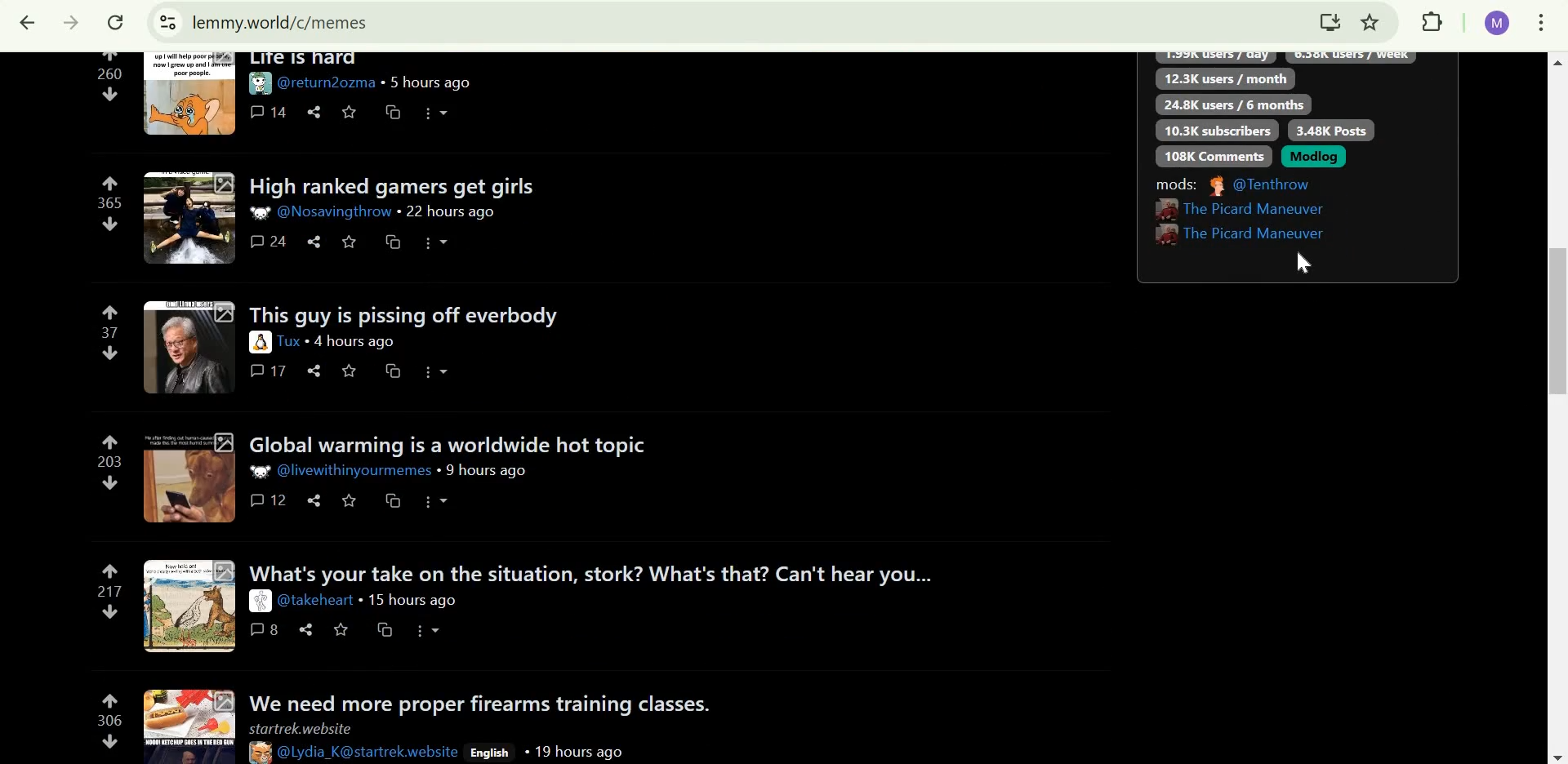  I want to click on picture, so click(261, 342).